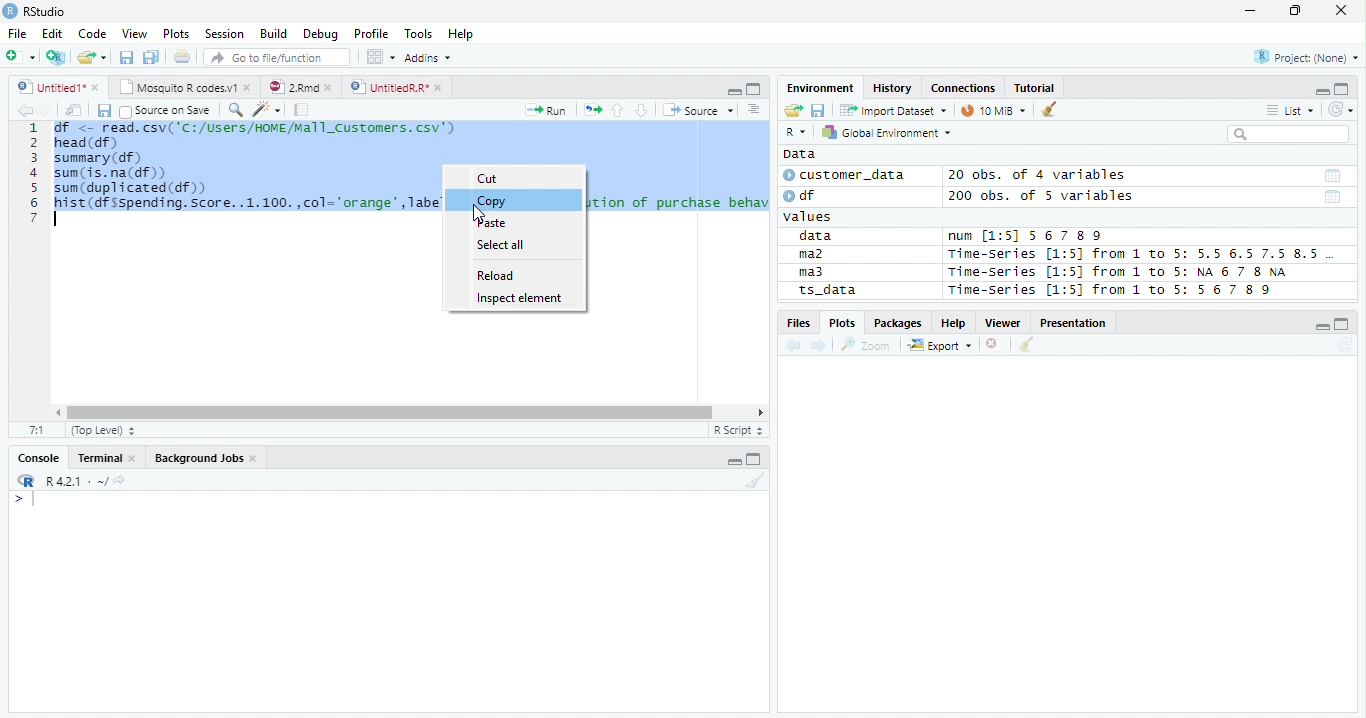  I want to click on New File, so click(21, 56).